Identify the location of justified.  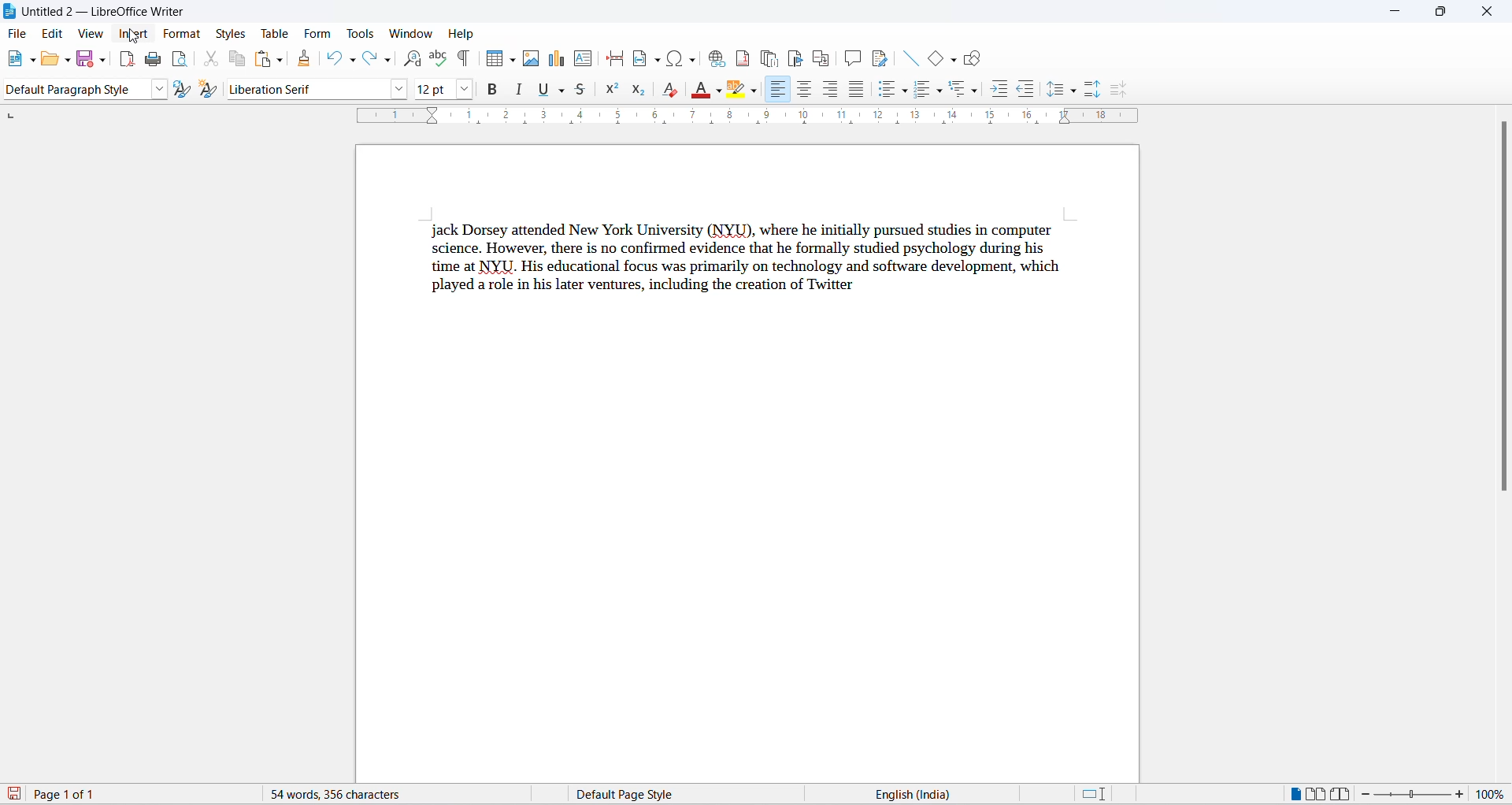
(854, 89).